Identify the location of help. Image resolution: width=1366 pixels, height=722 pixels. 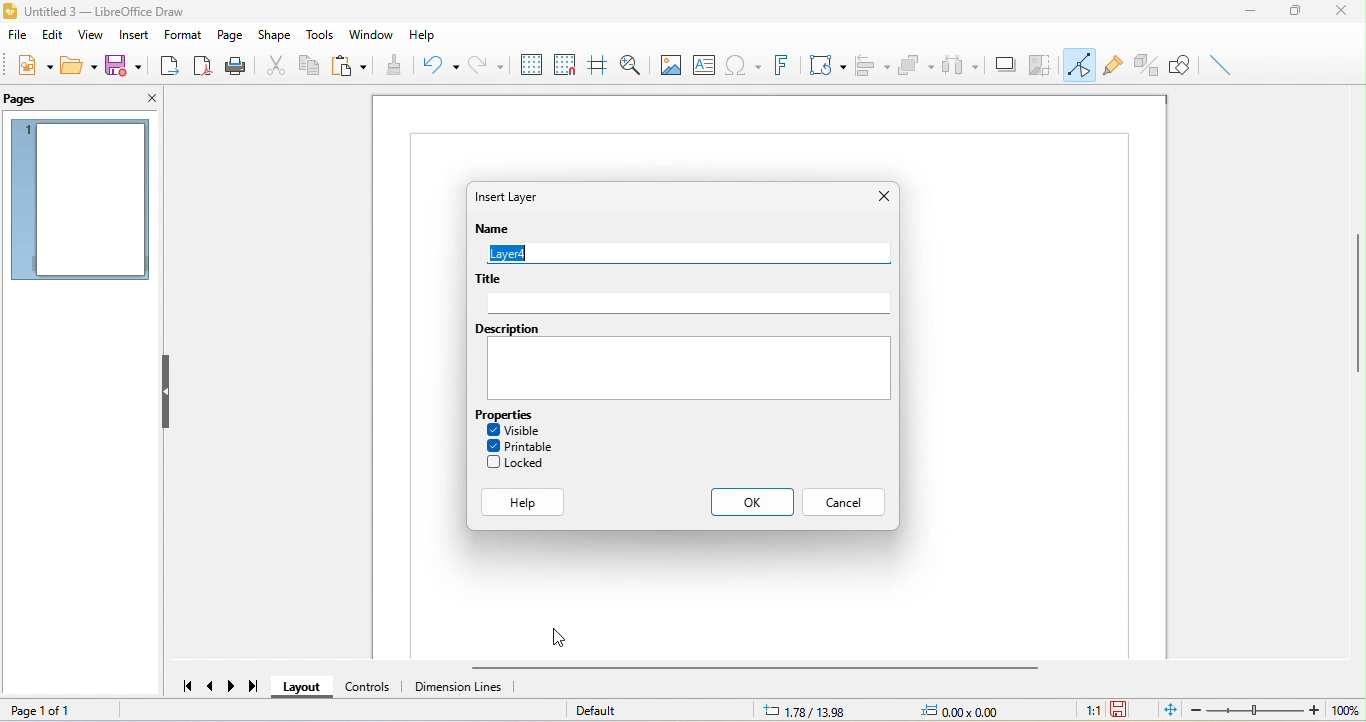
(428, 31).